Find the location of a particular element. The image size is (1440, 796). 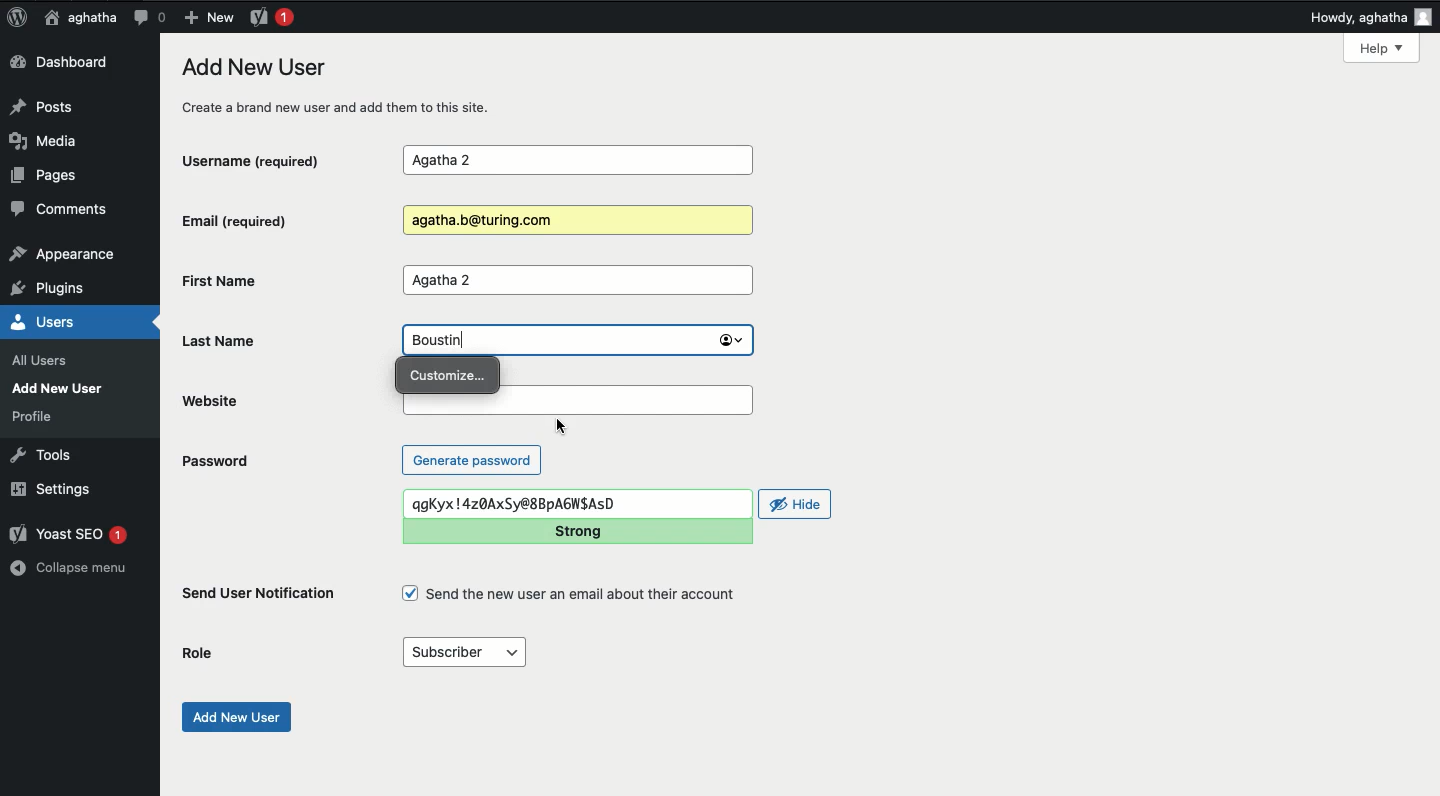

qgKyx!4z0AxSy@8BpA6NSAsD is located at coordinates (580, 505).